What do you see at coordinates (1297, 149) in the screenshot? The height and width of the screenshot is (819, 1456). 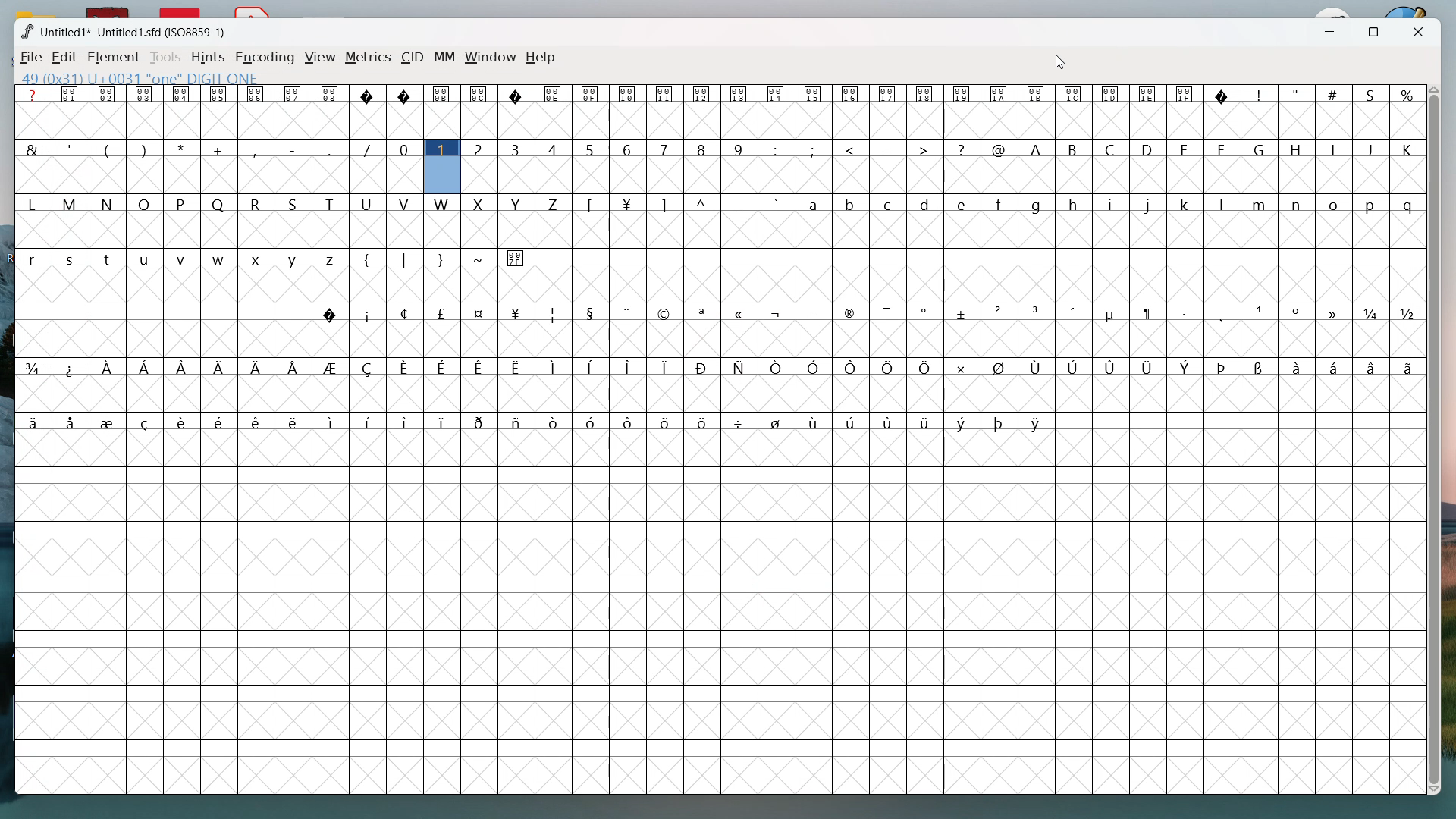 I see `H` at bounding box center [1297, 149].